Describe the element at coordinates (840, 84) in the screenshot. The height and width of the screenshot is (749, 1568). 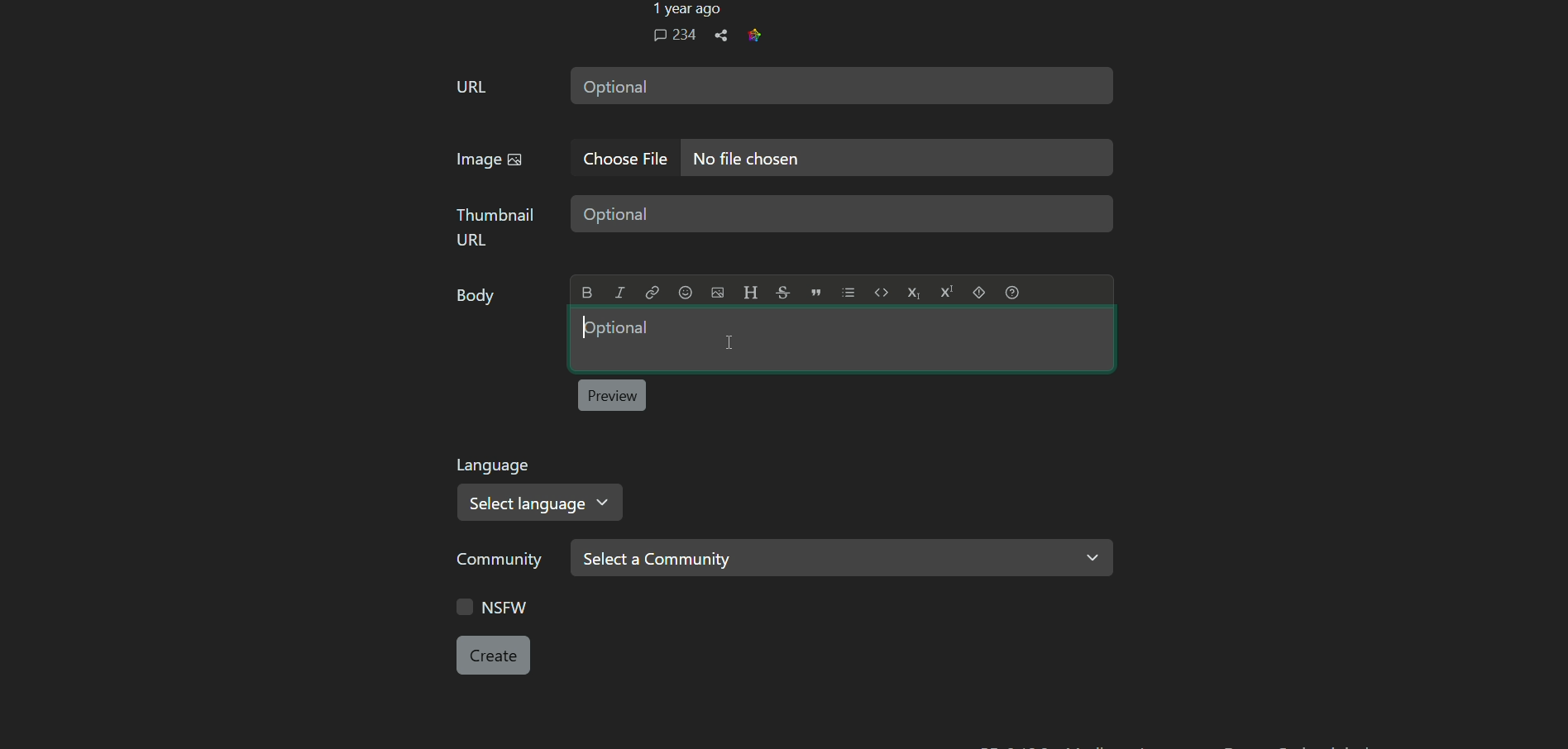
I see `text box` at that location.